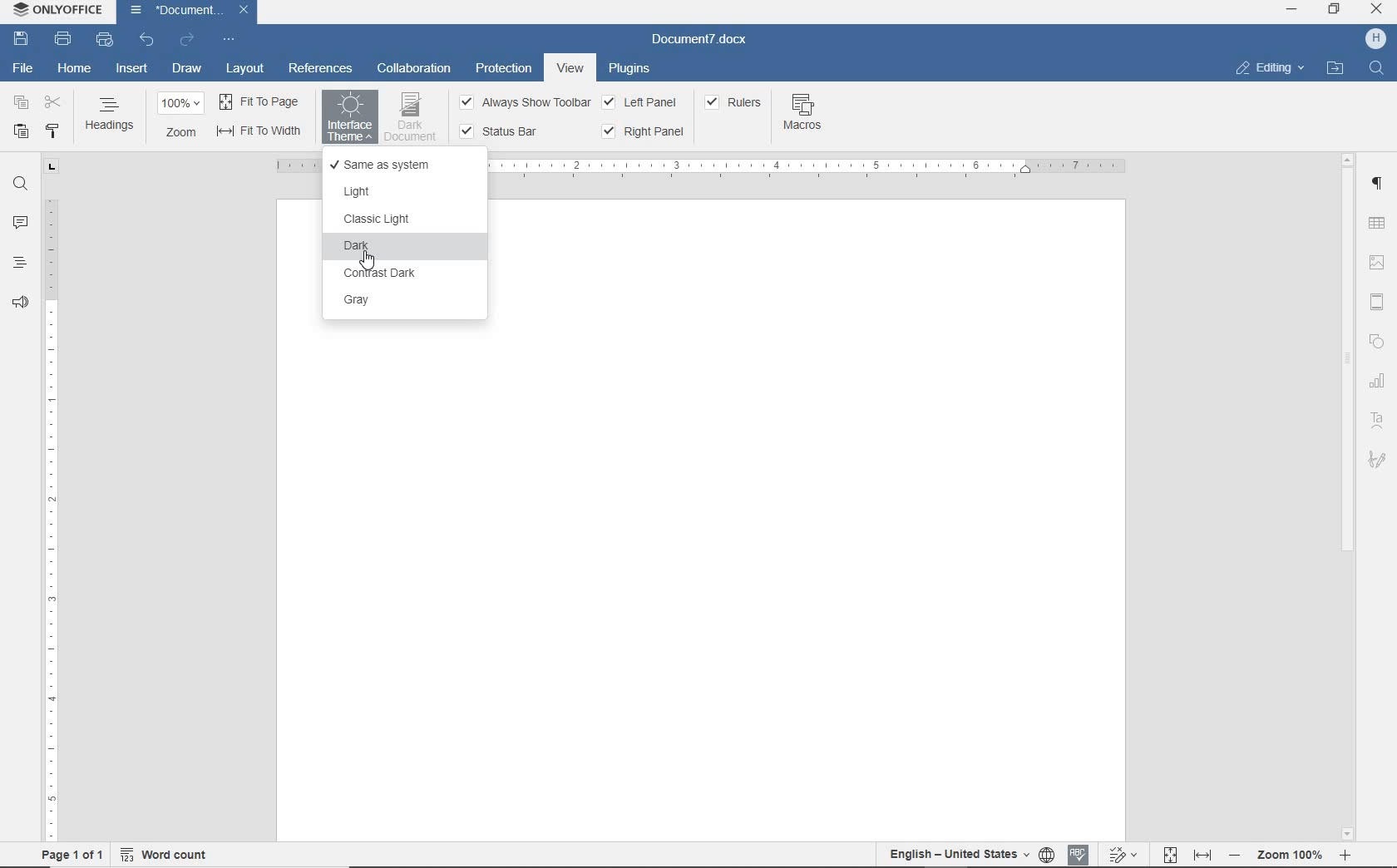  Describe the element at coordinates (382, 272) in the screenshot. I see `CONTRAST DARK` at that location.